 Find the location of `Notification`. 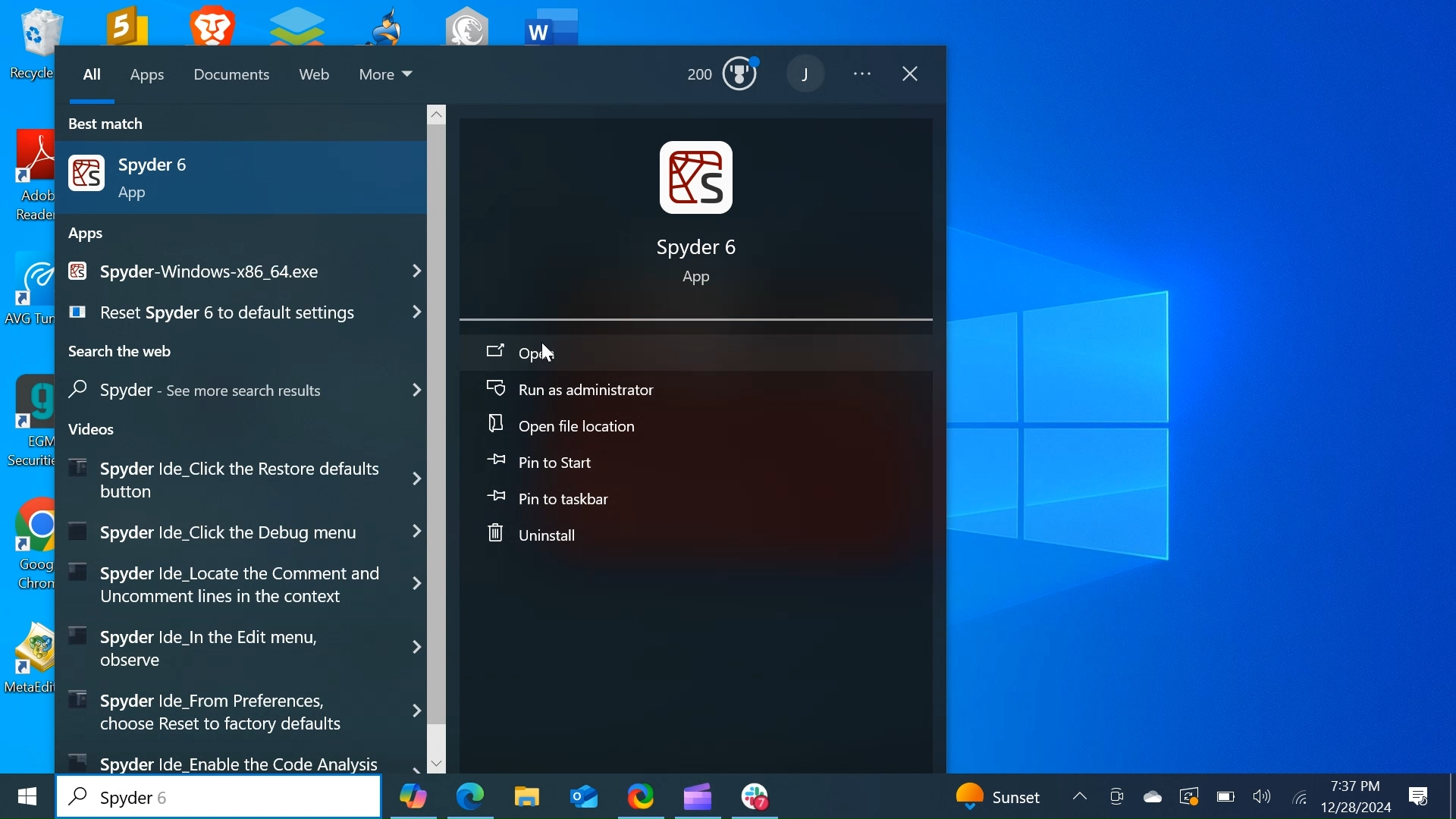

Notification is located at coordinates (1419, 795).